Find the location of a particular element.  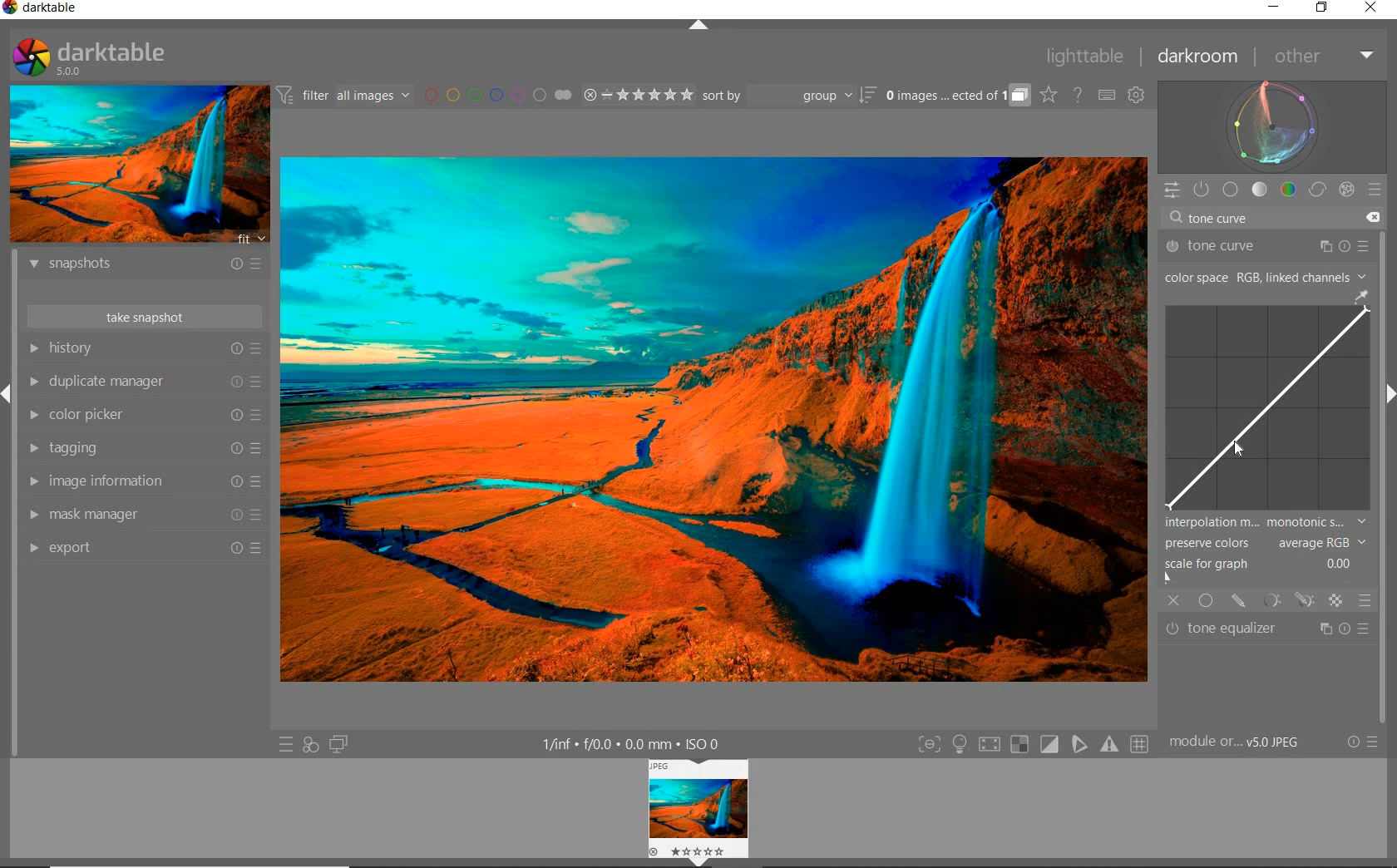

preset is located at coordinates (1376, 187).